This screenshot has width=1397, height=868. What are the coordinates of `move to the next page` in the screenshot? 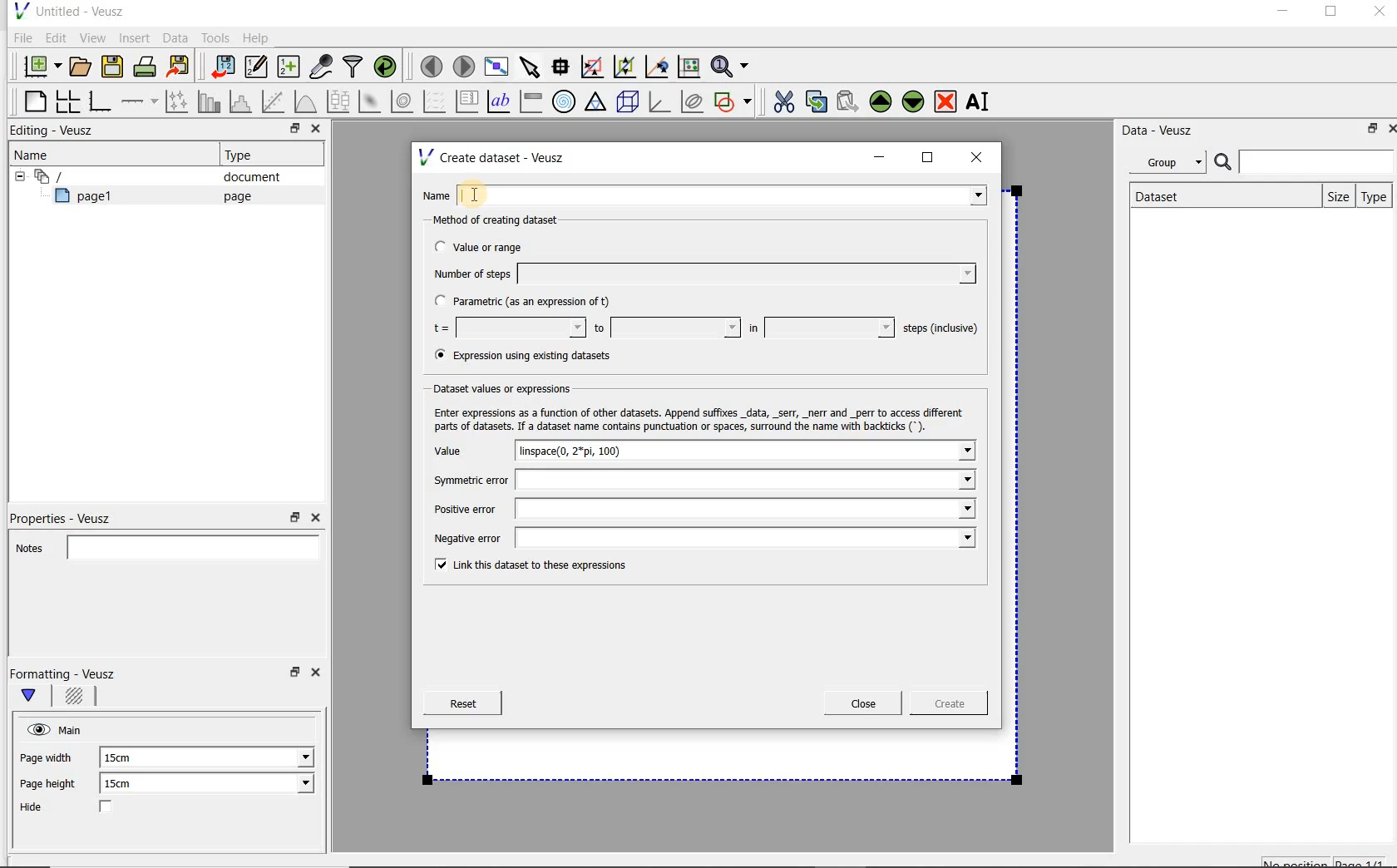 It's located at (464, 67).